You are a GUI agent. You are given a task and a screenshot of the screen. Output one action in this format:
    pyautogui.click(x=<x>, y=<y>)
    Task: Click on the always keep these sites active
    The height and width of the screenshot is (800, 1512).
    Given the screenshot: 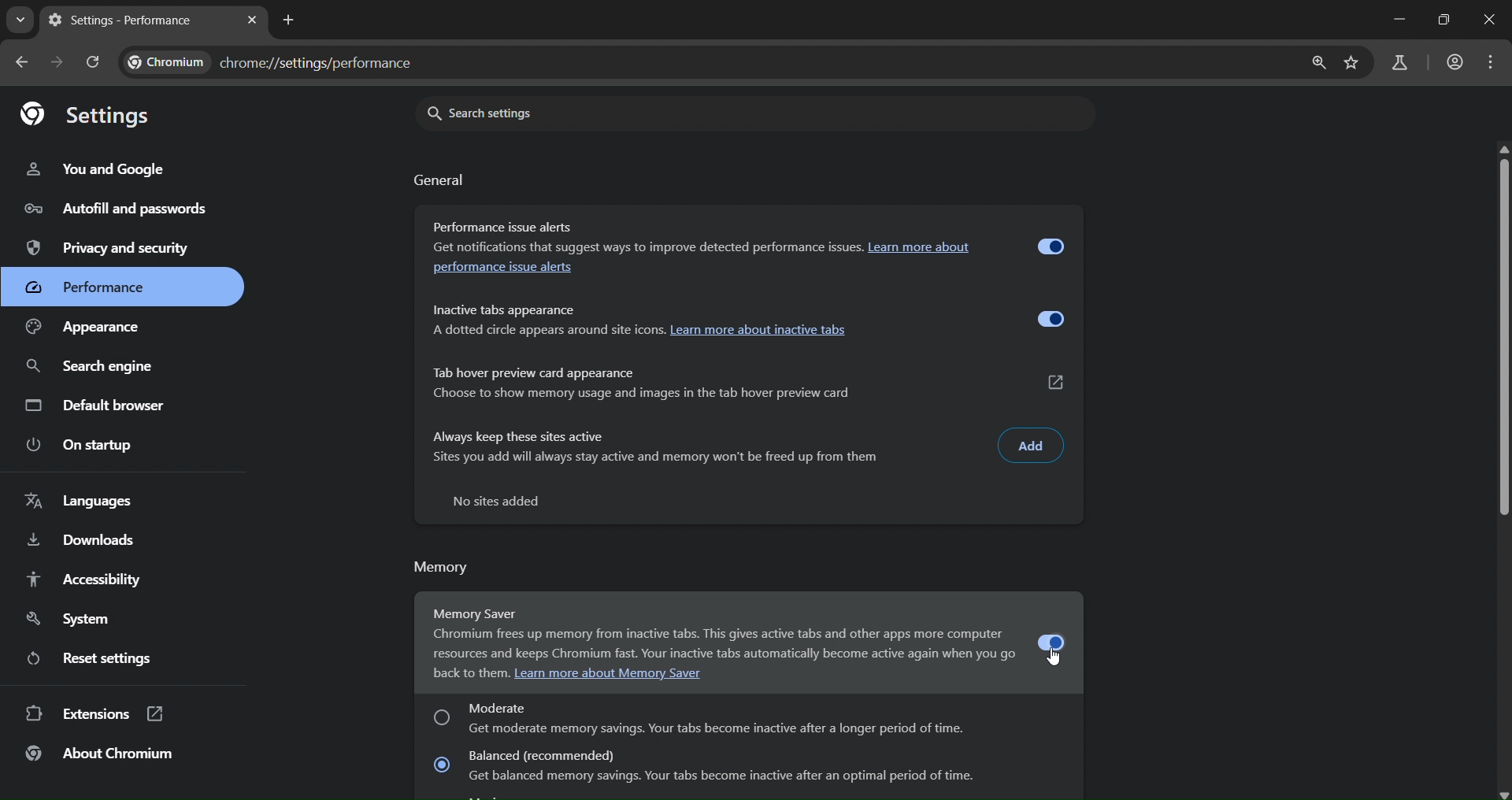 What is the action you would take?
    pyautogui.click(x=519, y=436)
    